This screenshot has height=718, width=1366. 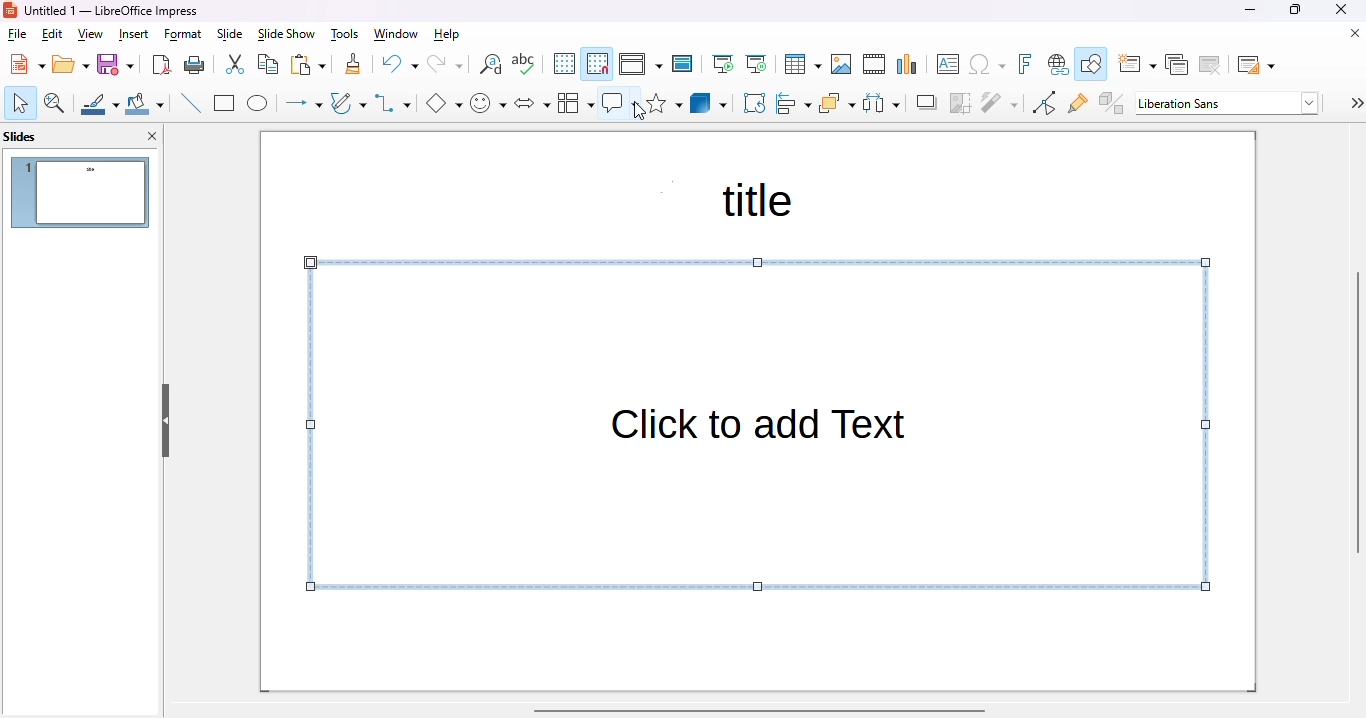 What do you see at coordinates (236, 64) in the screenshot?
I see `cut` at bounding box center [236, 64].